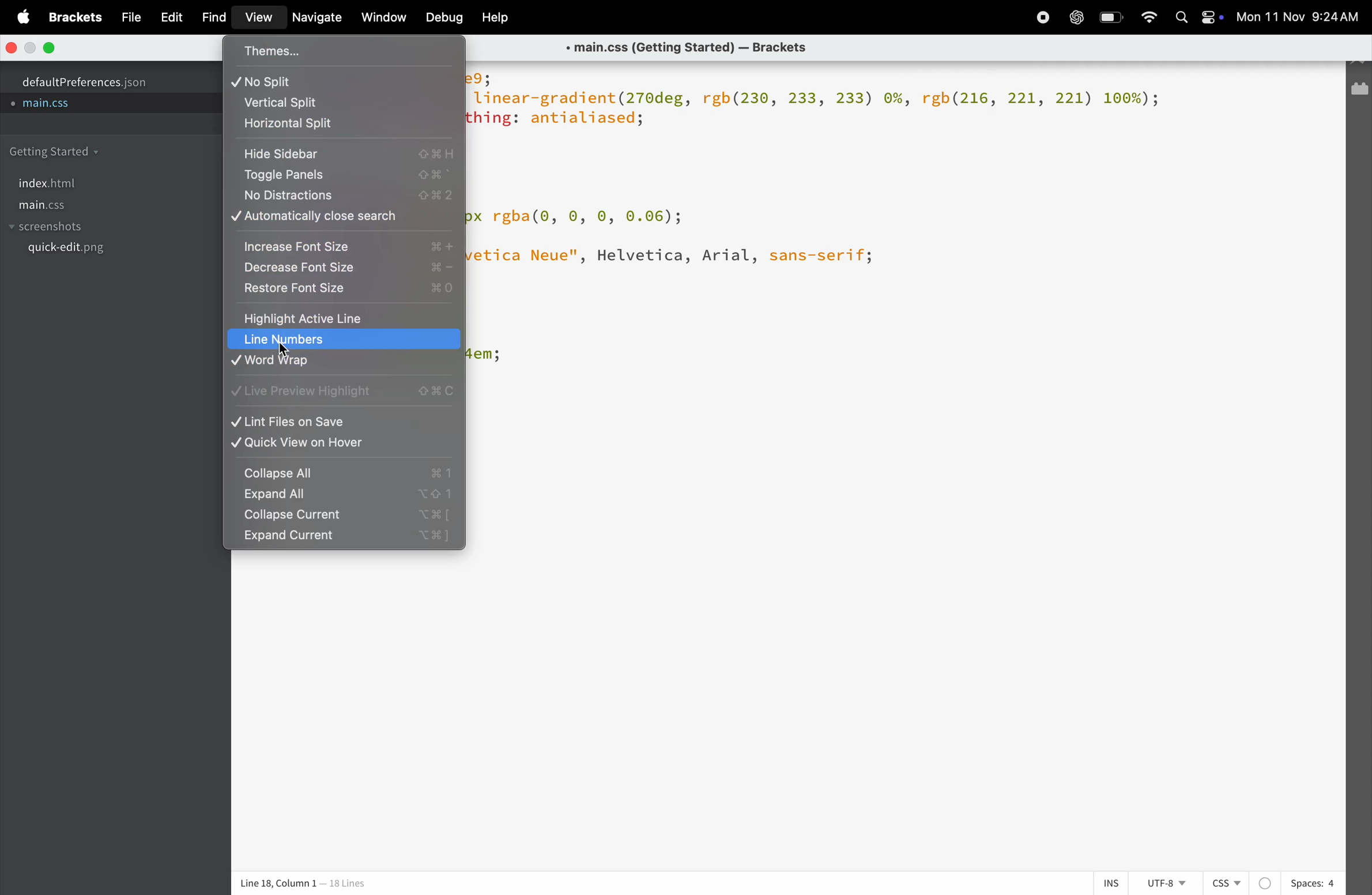 The height and width of the screenshot is (895, 1372). Describe the element at coordinates (50, 47) in the screenshot. I see `maximize` at that location.